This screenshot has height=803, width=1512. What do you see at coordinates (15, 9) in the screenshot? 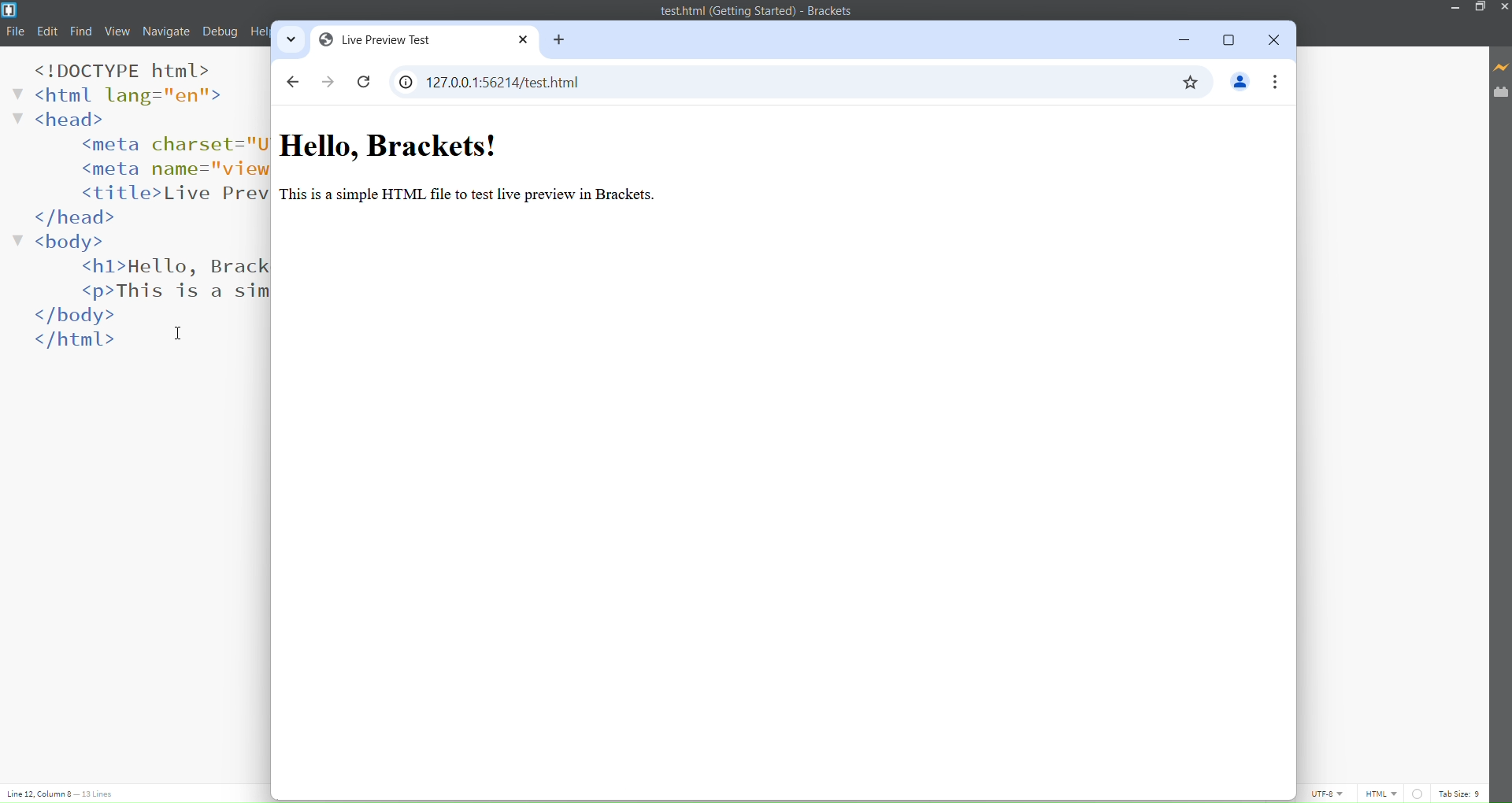
I see `Logo` at bounding box center [15, 9].